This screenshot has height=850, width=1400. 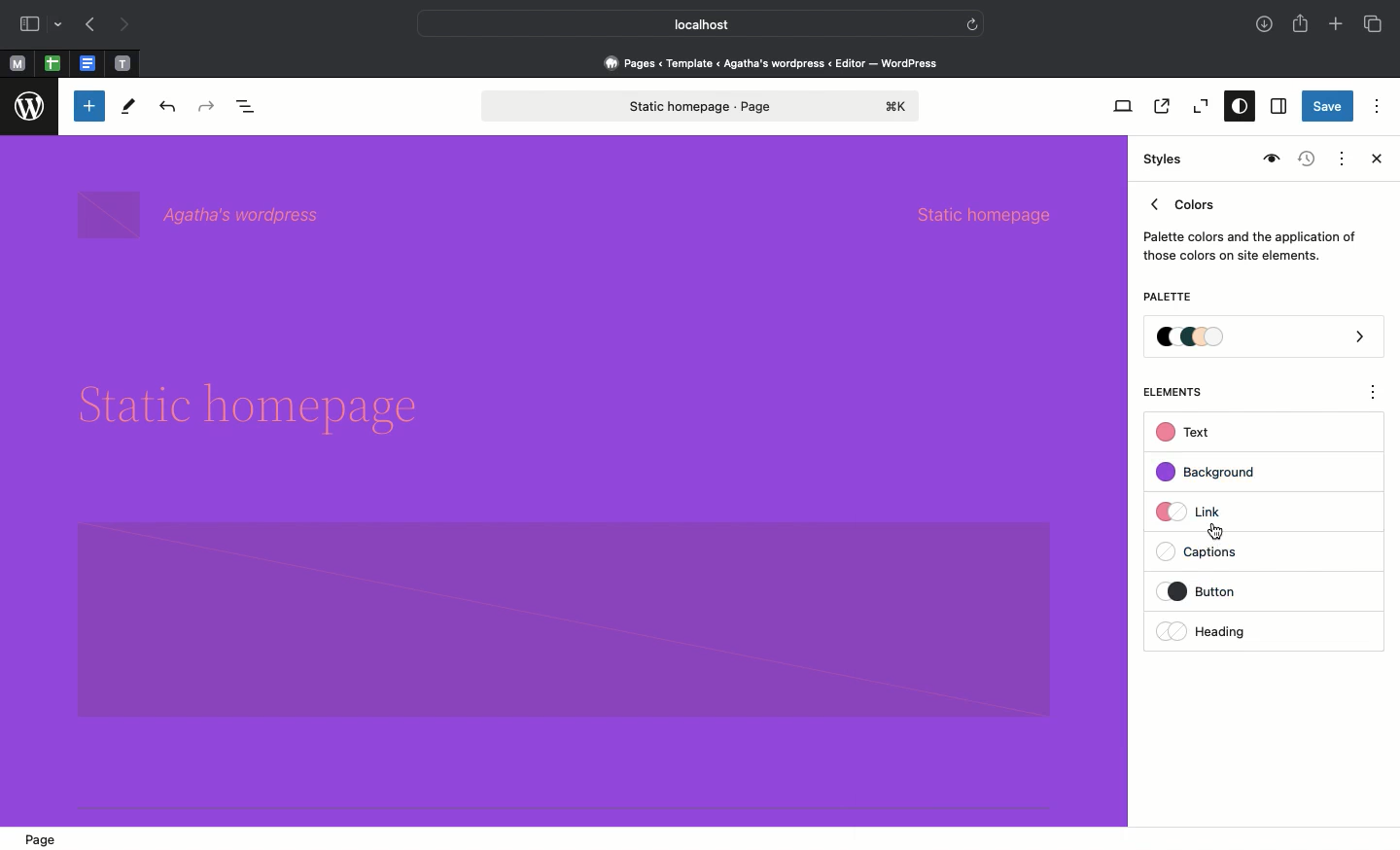 I want to click on Toggle blocker, so click(x=89, y=106).